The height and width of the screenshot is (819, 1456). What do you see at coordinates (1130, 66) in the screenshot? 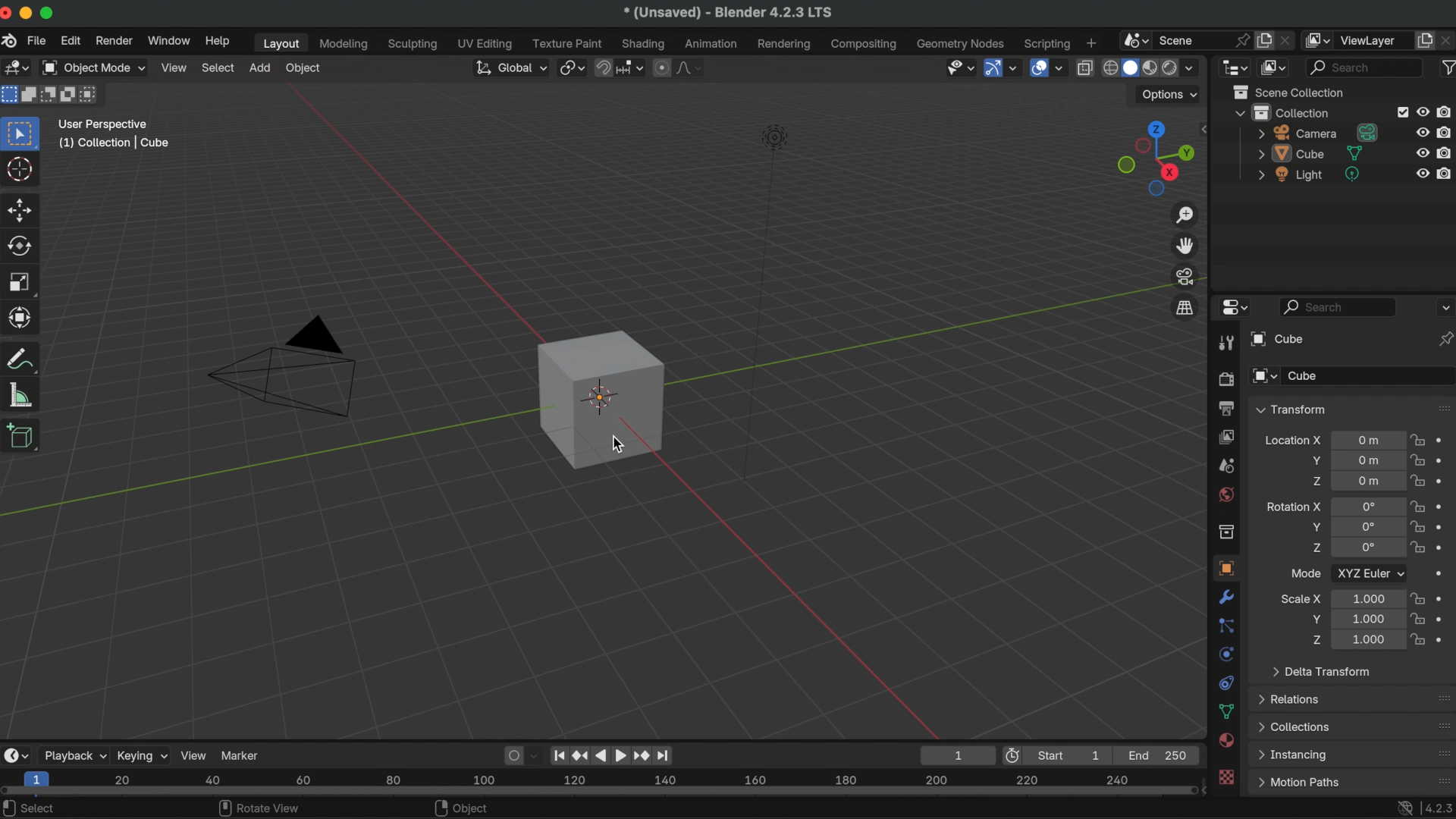
I see `viewport shading solid mode` at bounding box center [1130, 66].